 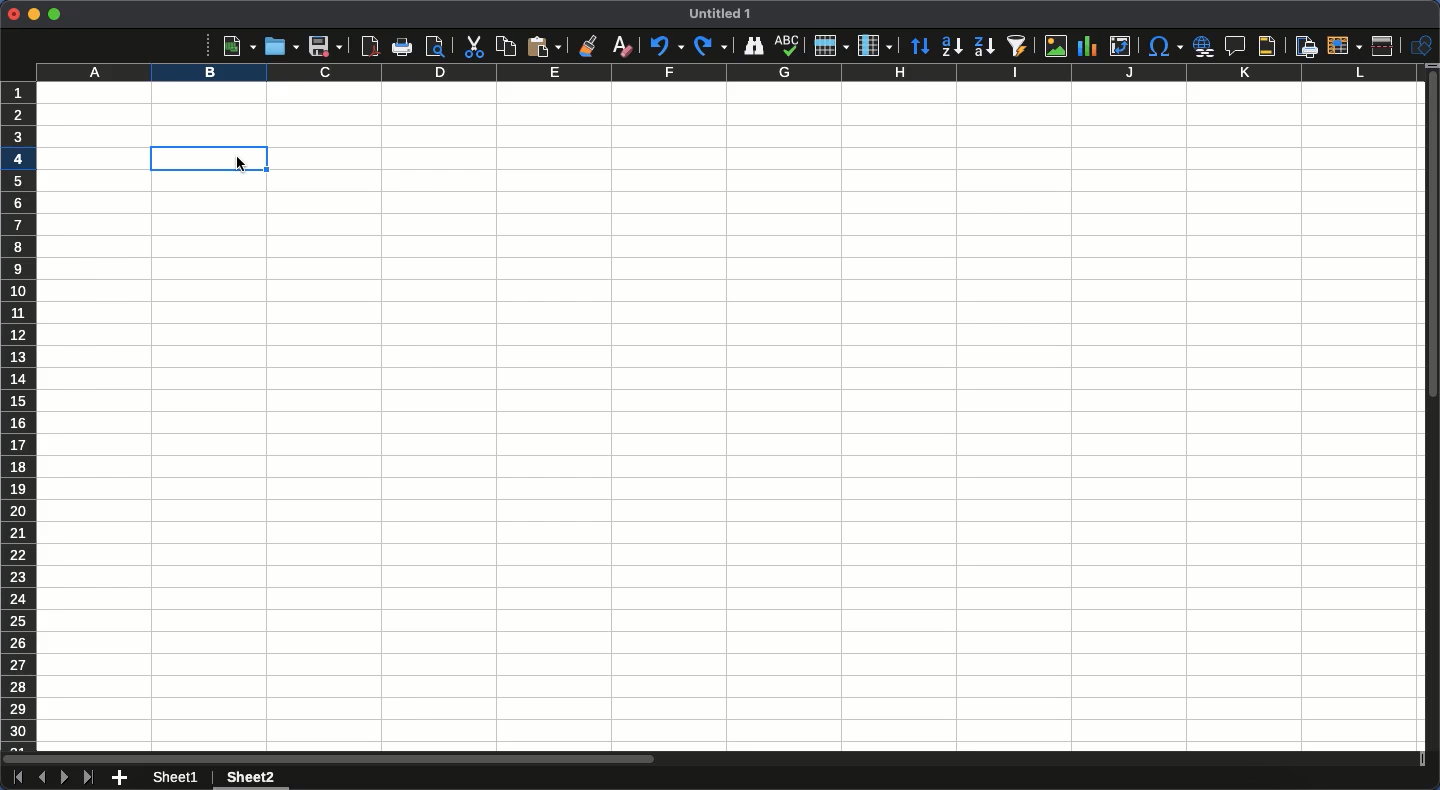 What do you see at coordinates (723, 13) in the screenshot?
I see `Name` at bounding box center [723, 13].